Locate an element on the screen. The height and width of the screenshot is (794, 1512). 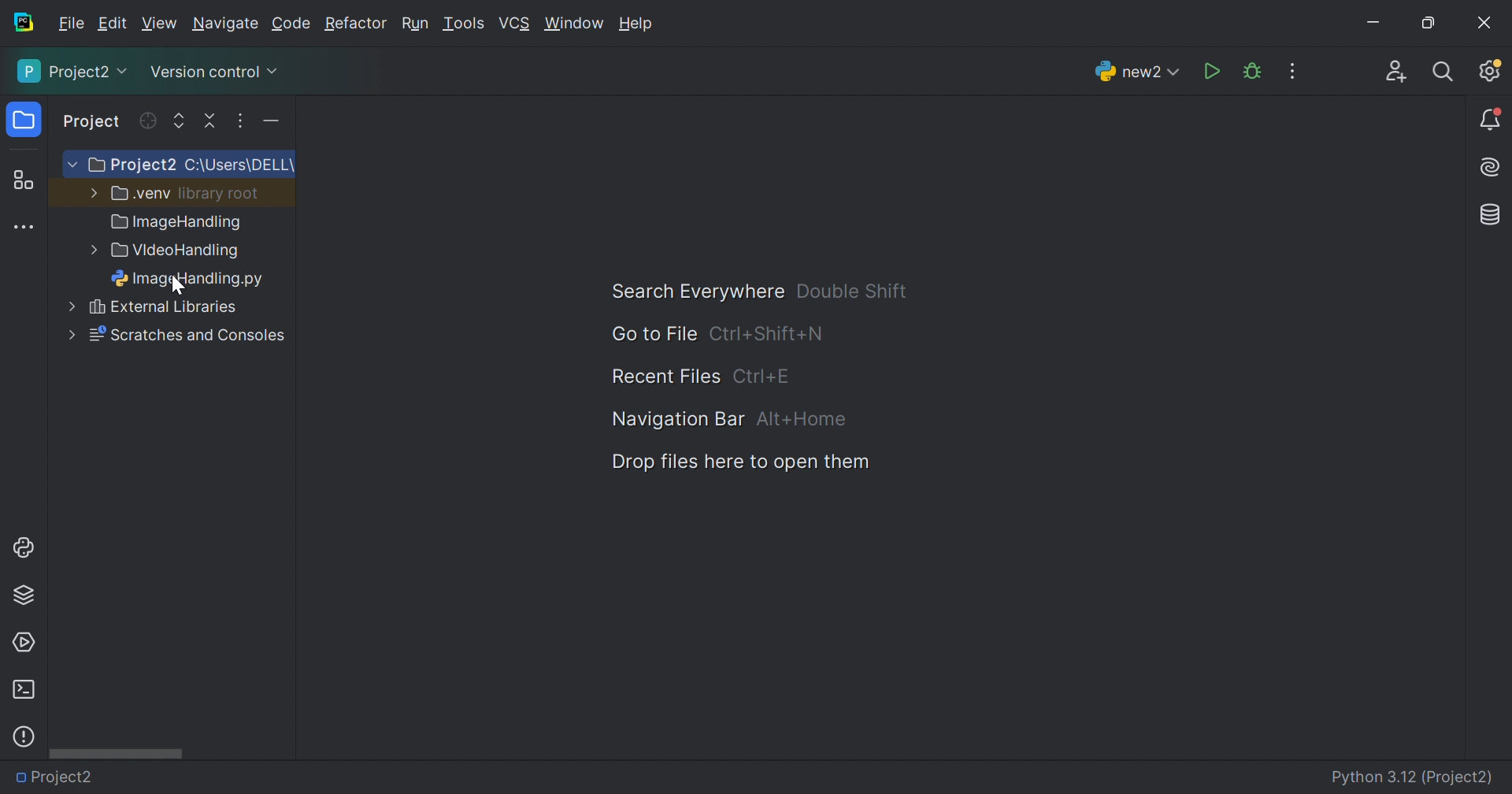
More is located at coordinates (69, 165).